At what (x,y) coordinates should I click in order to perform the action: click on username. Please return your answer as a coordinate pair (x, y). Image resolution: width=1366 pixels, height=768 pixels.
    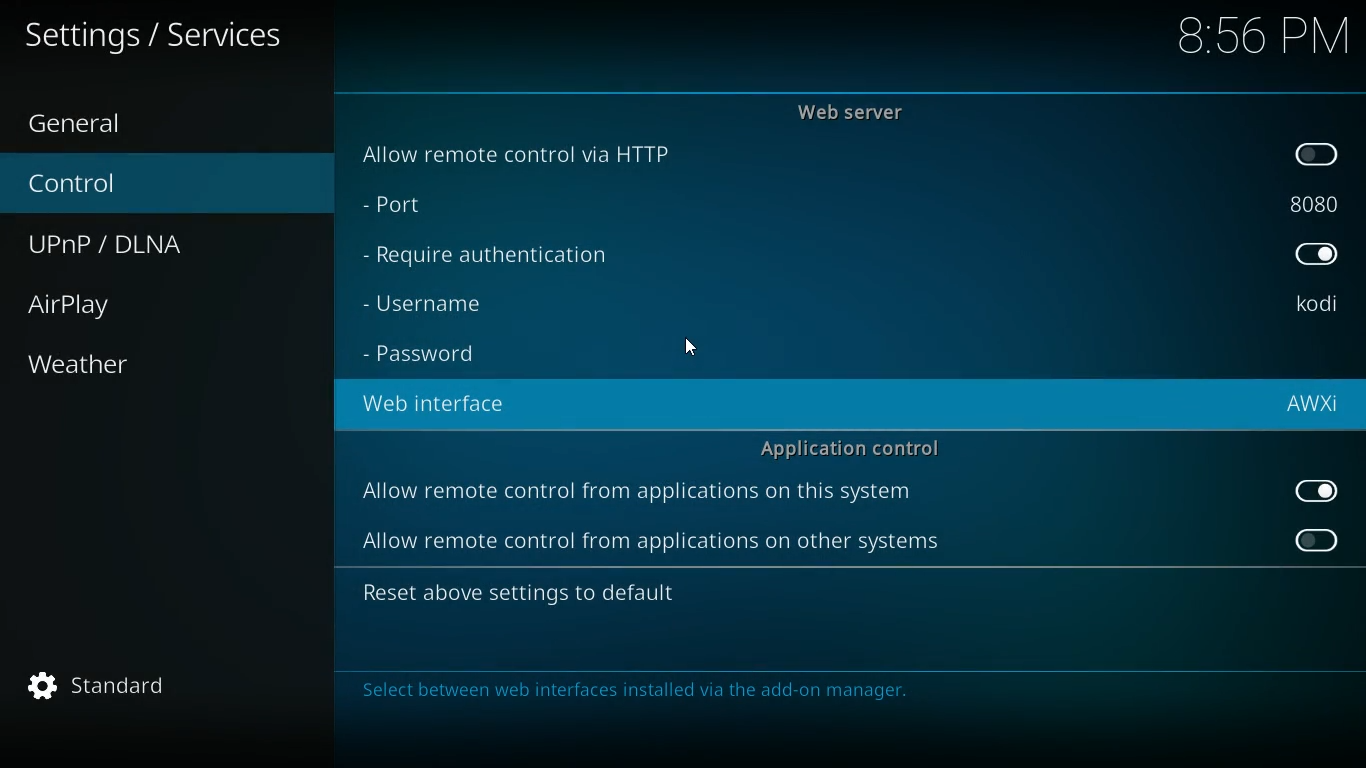
    Looking at the image, I should click on (449, 303).